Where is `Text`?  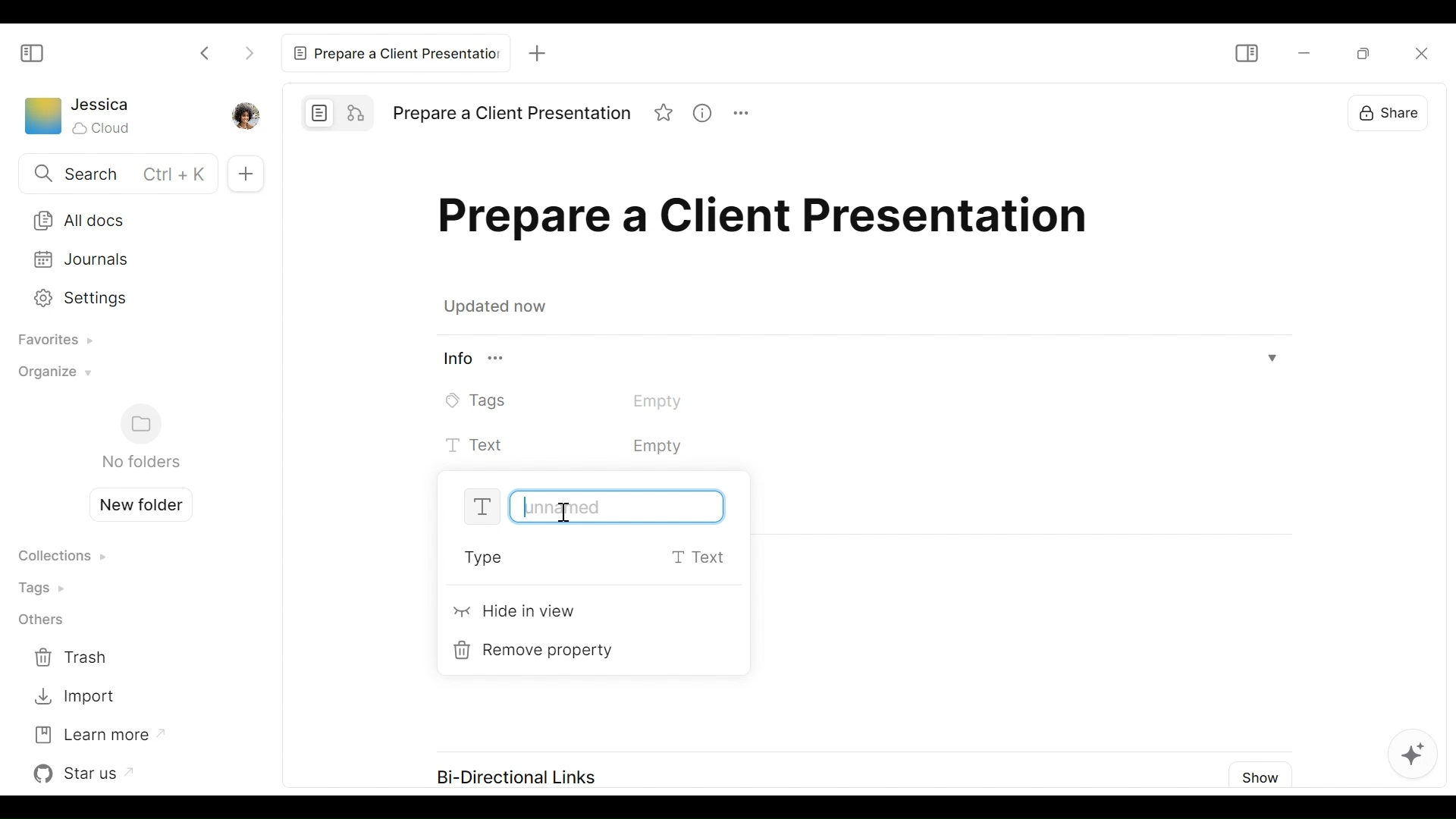
Text is located at coordinates (606, 447).